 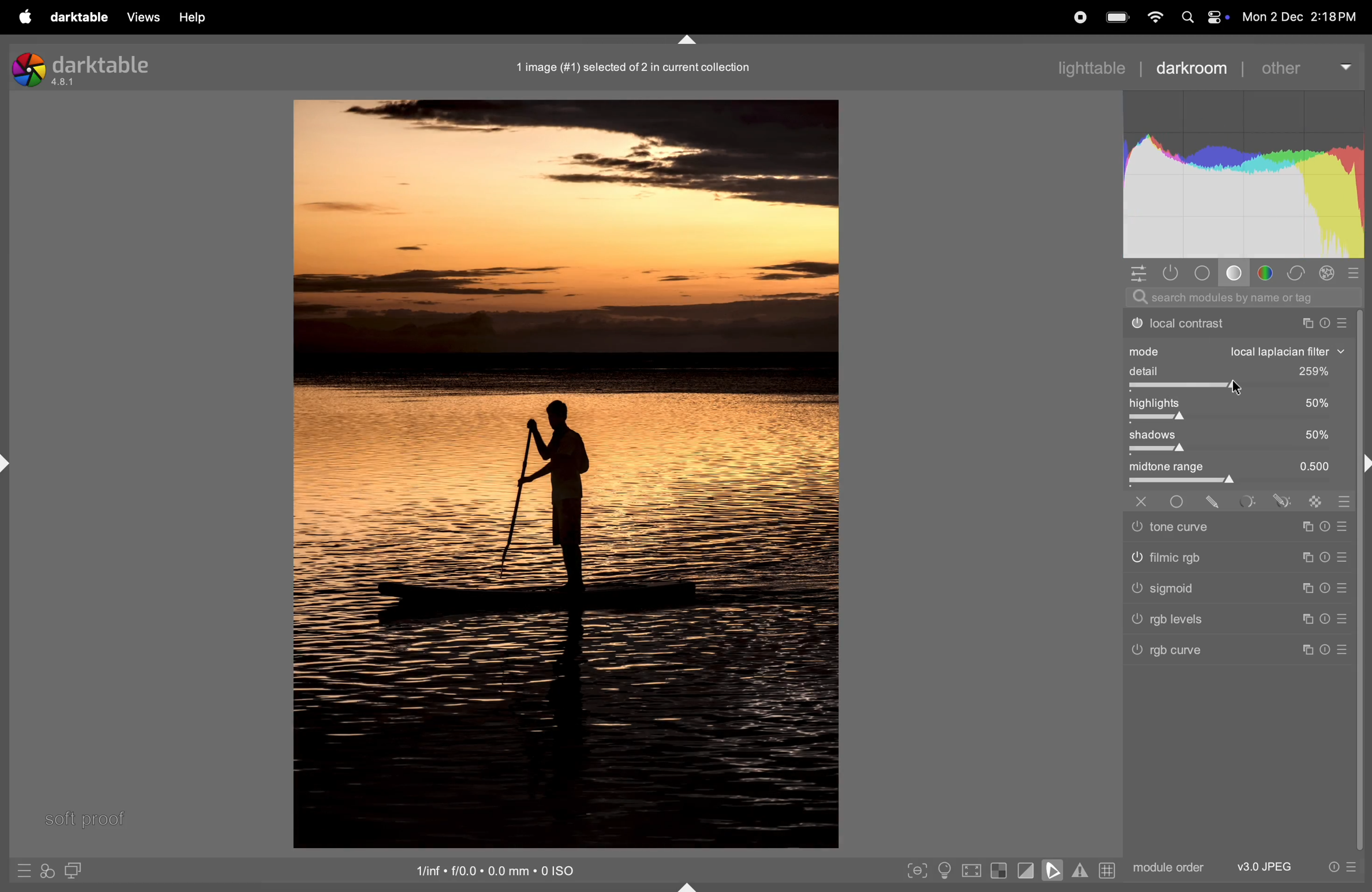 What do you see at coordinates (564, 476) in the screenshot?
I see `image` at bounding box center [564, 476].